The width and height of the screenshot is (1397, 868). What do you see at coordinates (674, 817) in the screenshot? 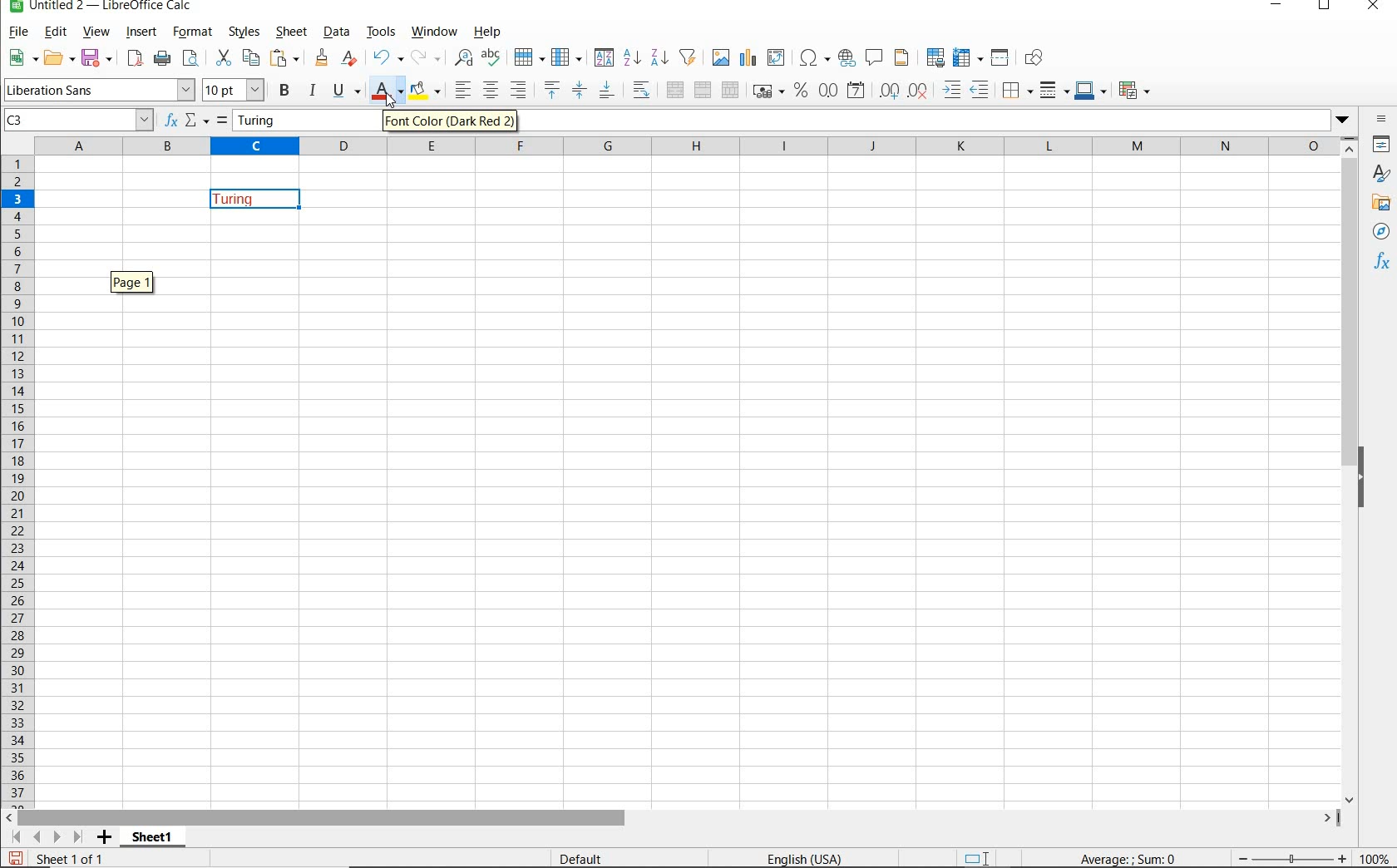
I see `SCROLLBAR` at bounding box center [674, 817].